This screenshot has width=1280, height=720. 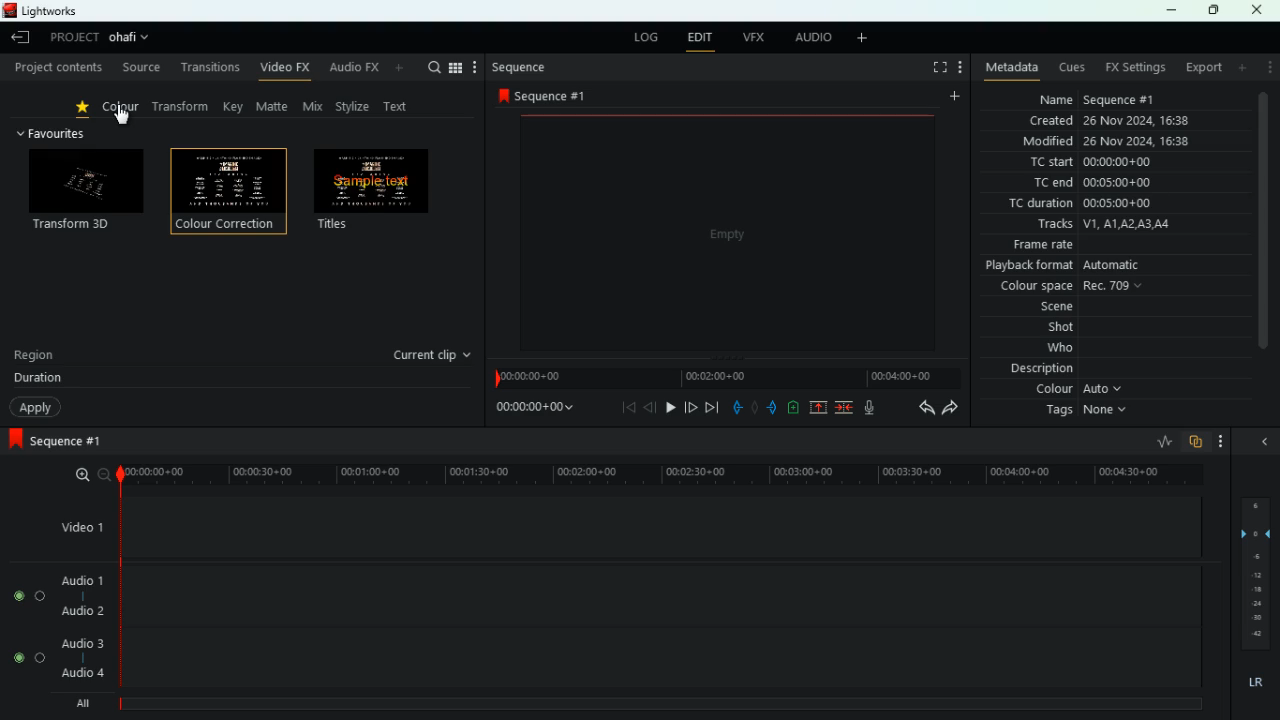 I want to click on back, so click(x=733, y=404).